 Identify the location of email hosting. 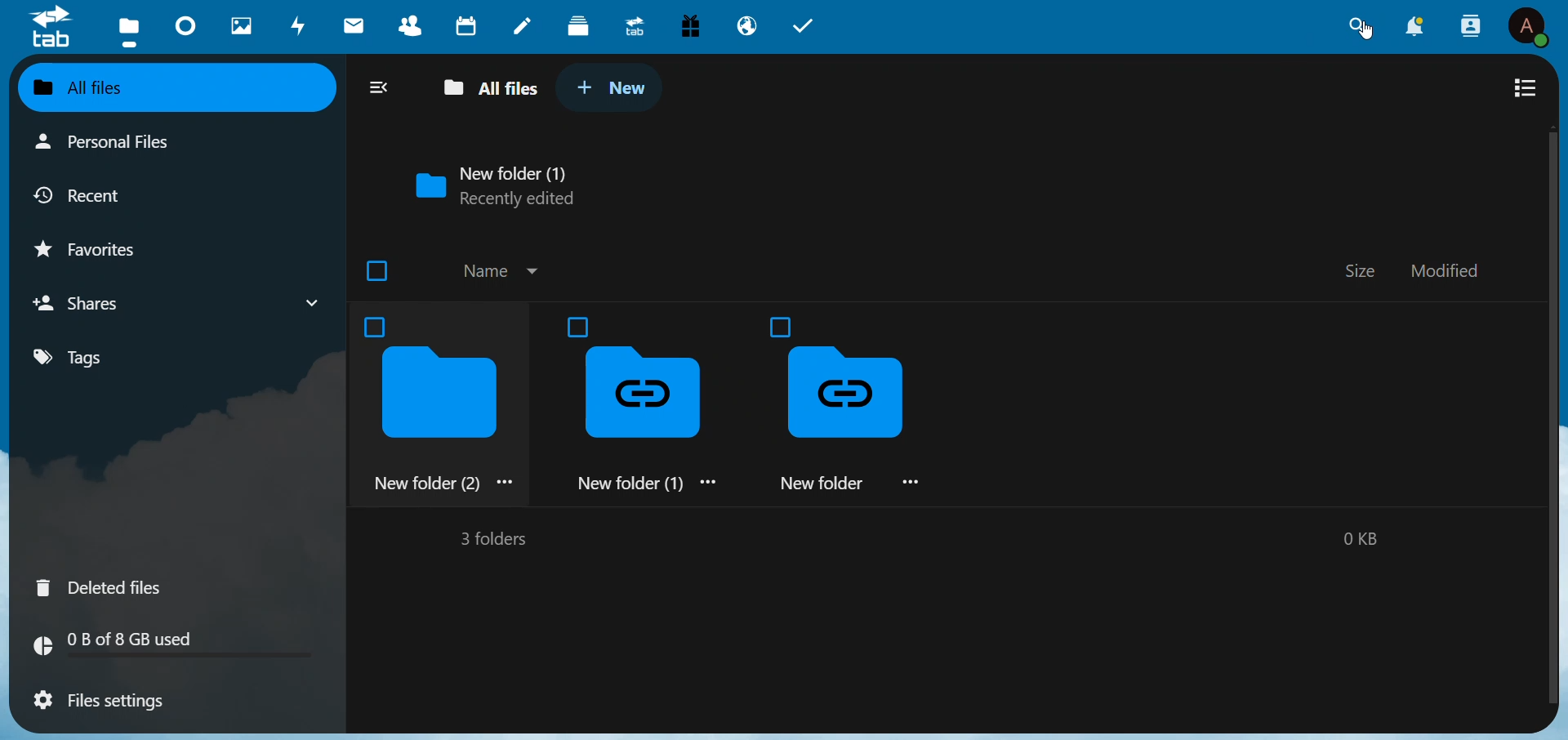
(749, 25).